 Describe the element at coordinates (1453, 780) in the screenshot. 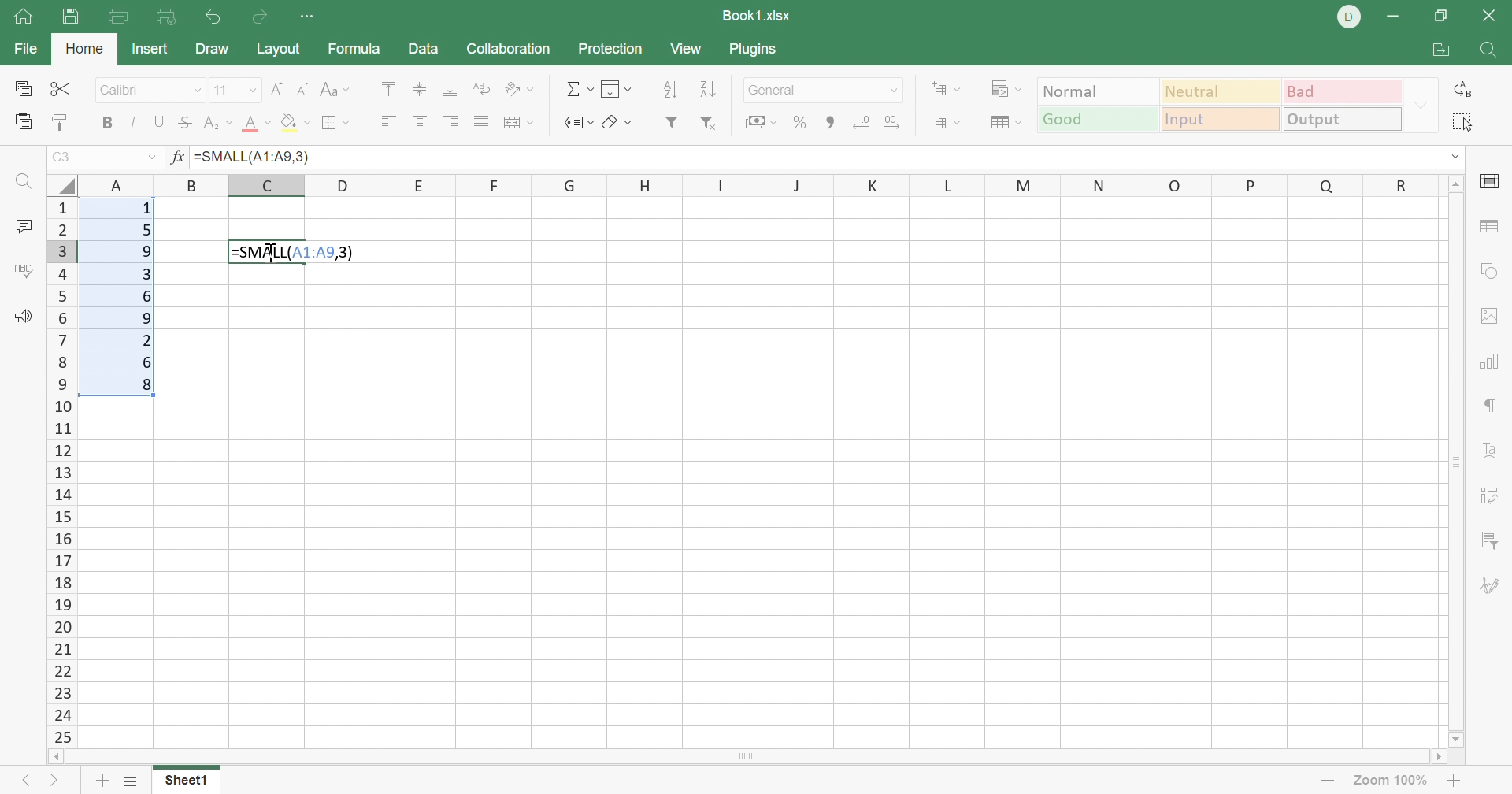

I see `Zoom in` at that location.